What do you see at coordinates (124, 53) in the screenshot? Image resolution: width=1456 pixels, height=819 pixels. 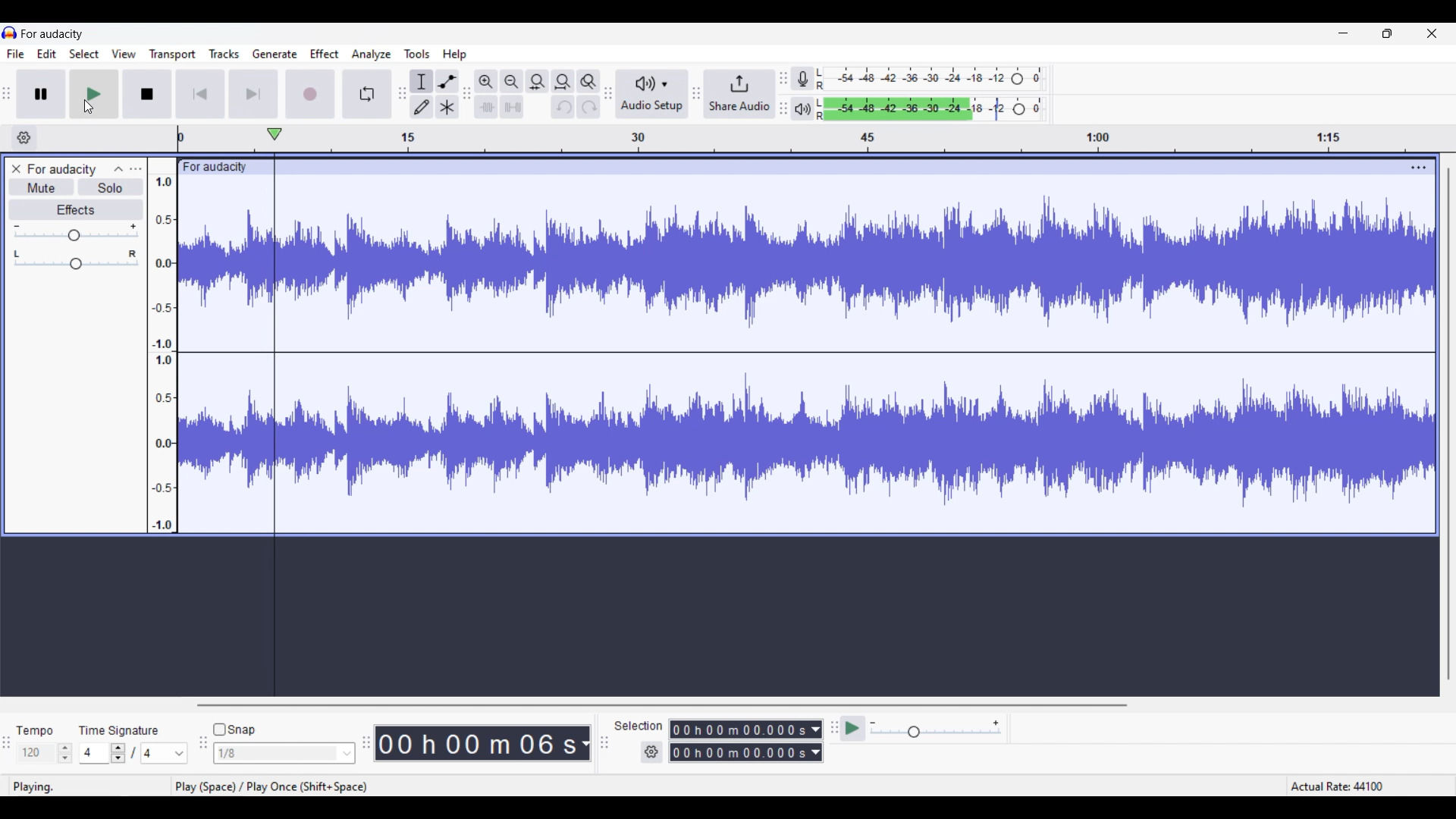 I see `View menu` at bounding box center [124, 53].